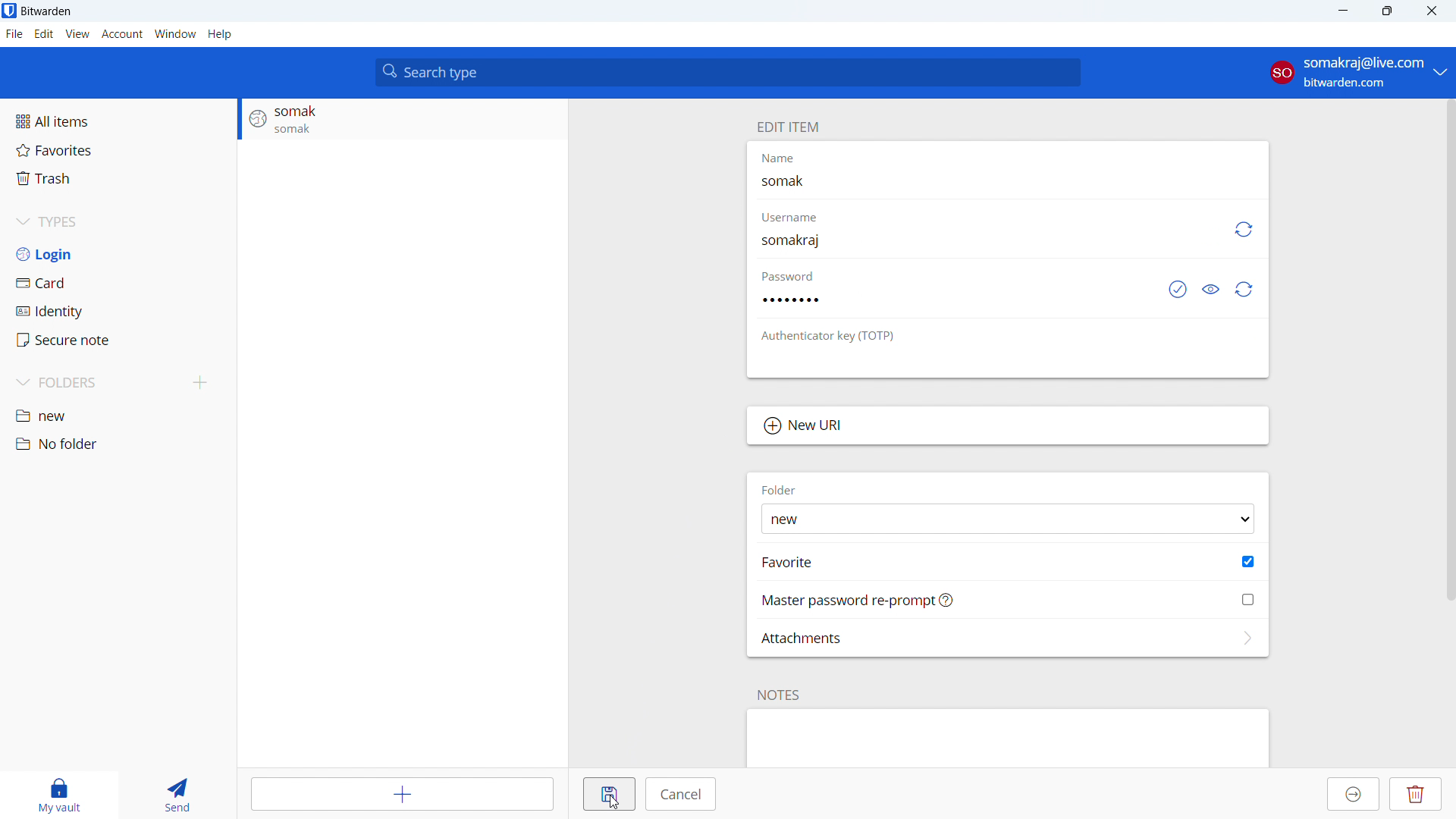  Describe the element at coordinates (402, 120) in the screenshot. I see `login entry` at that location.